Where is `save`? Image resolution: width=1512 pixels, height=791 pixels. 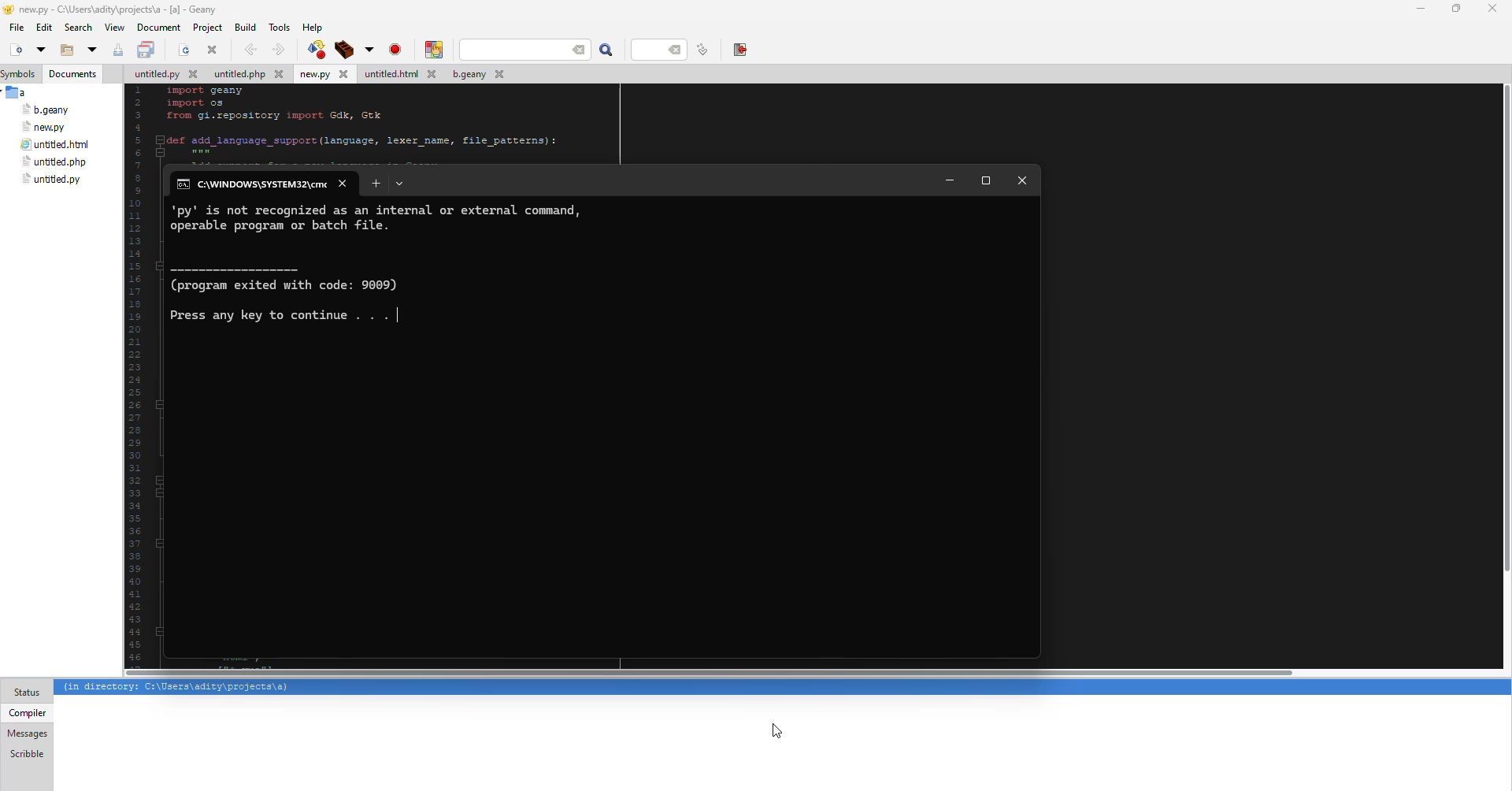
save is located at coordinates (146, 50).